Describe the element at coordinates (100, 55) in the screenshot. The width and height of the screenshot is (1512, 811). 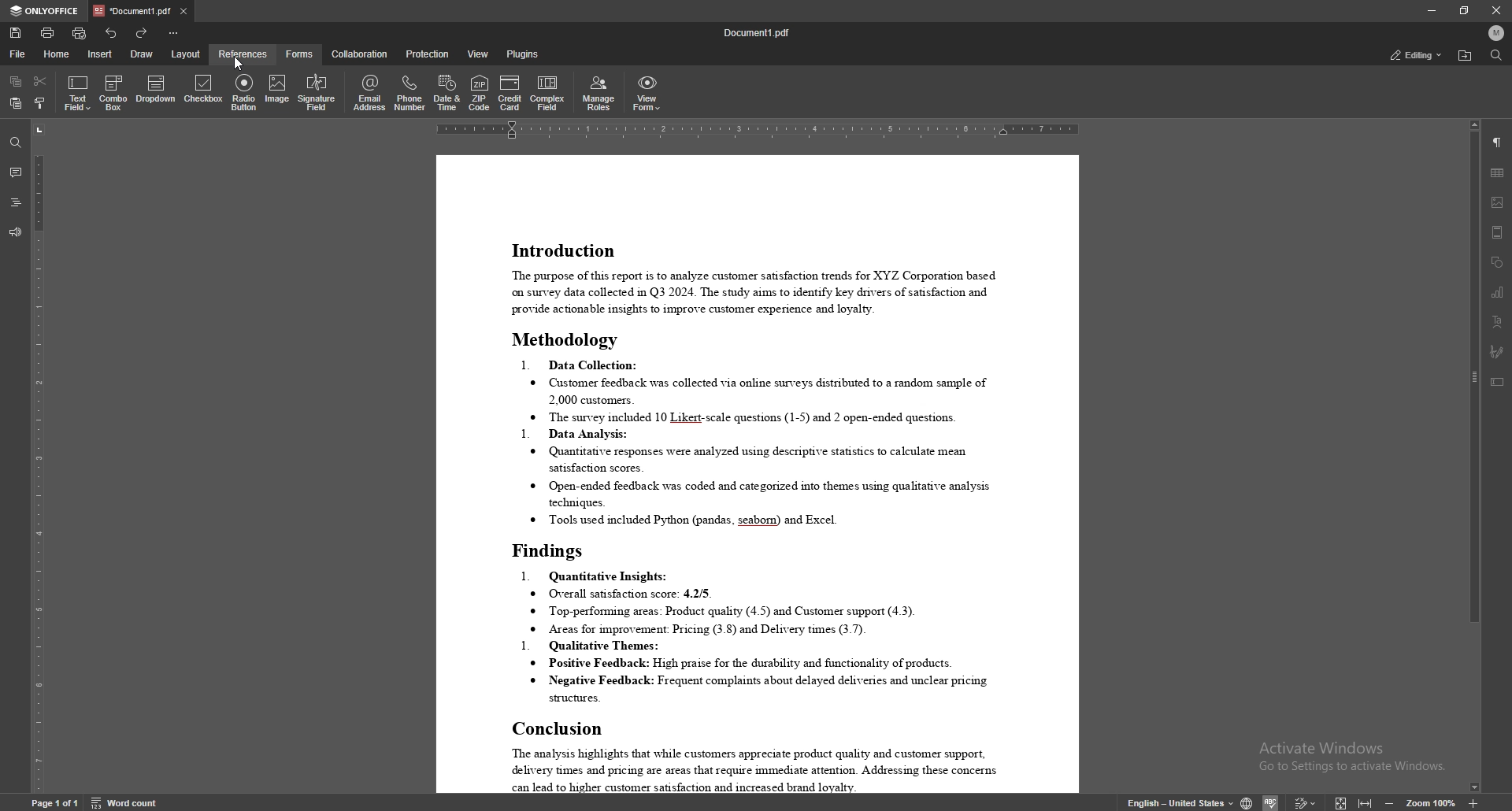
I see `insert` at that location.